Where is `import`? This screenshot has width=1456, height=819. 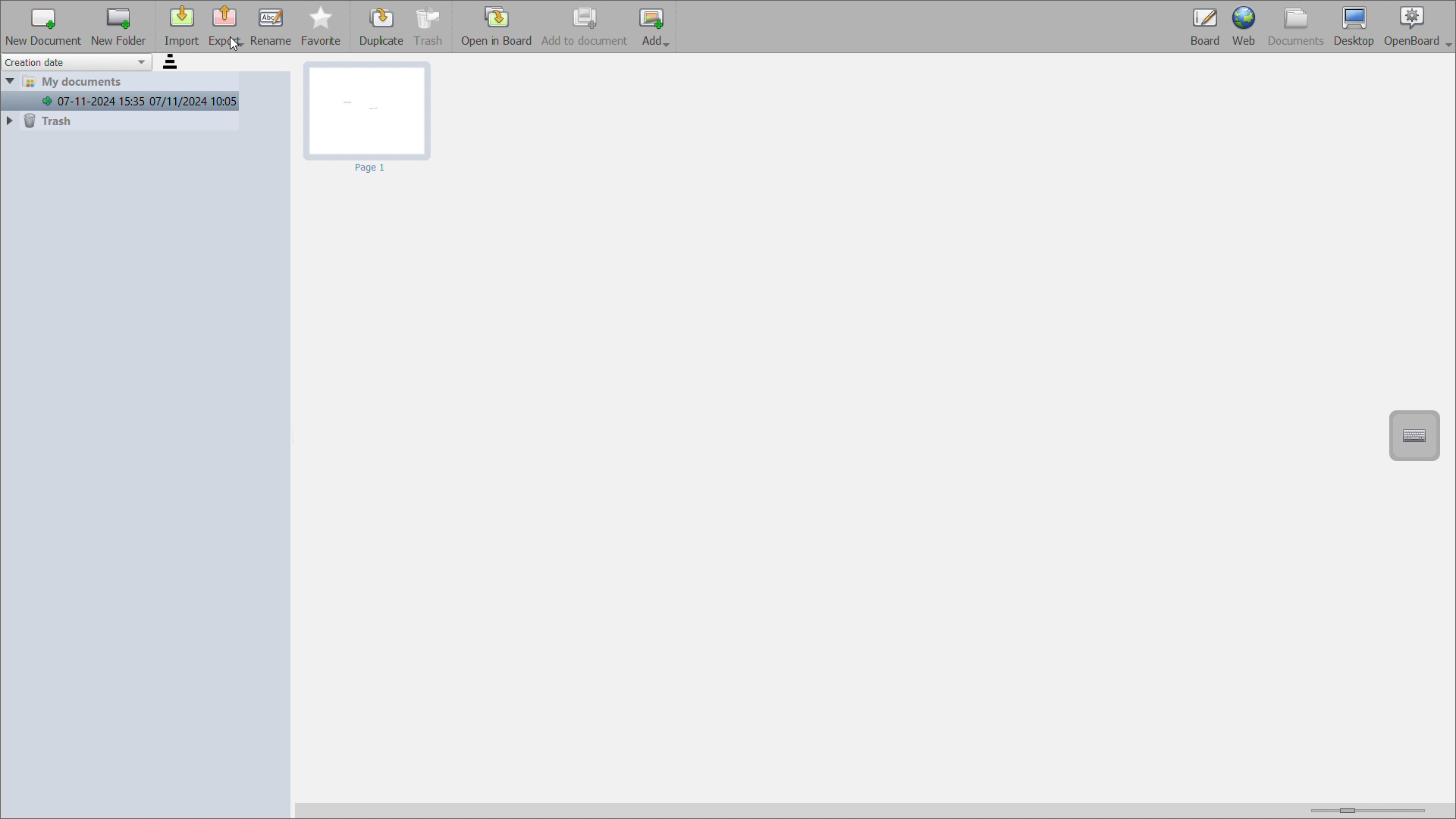 import is located at coordinates (181, 27).